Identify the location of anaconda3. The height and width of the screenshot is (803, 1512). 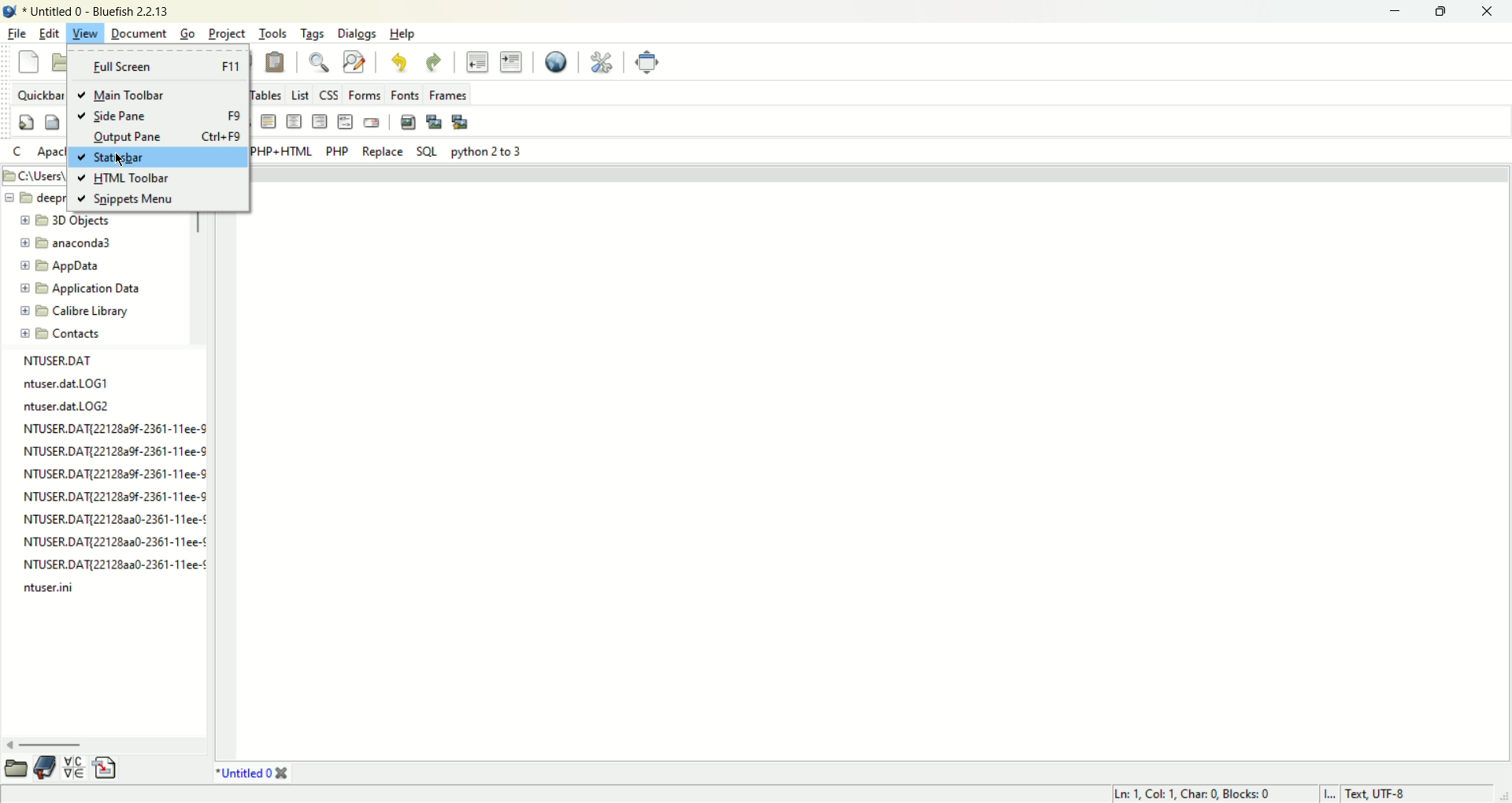
(77, 242).